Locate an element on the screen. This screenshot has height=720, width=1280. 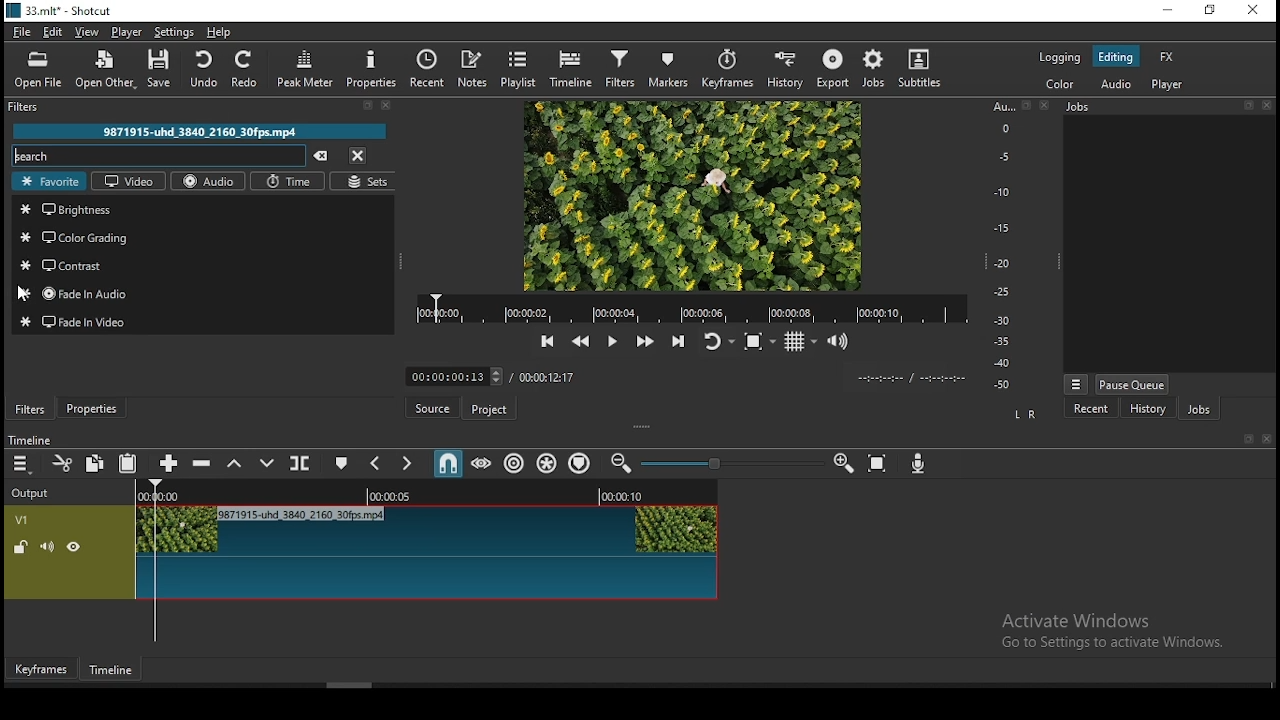
view is located at coordinates (88, 31).